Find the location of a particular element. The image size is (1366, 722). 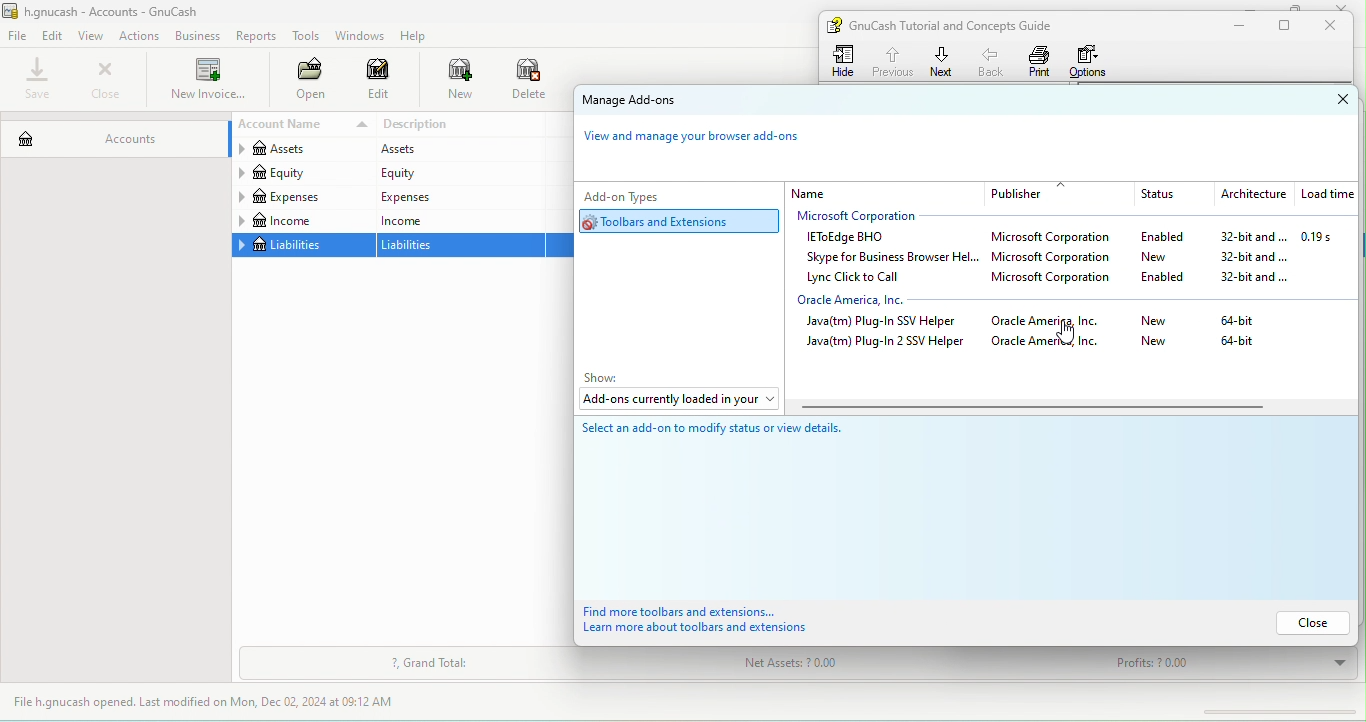

assets is located at coordinates (300, 151).